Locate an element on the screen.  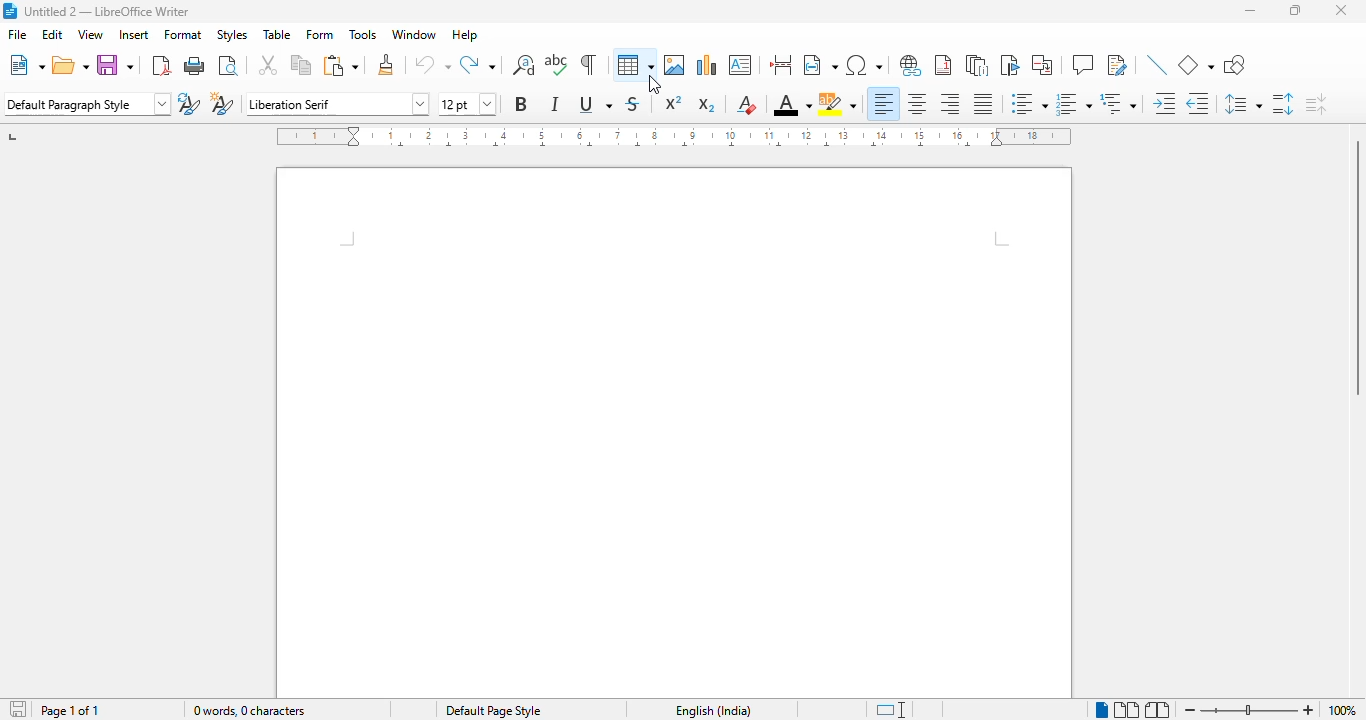
cut is located at coordinates (269, 65).